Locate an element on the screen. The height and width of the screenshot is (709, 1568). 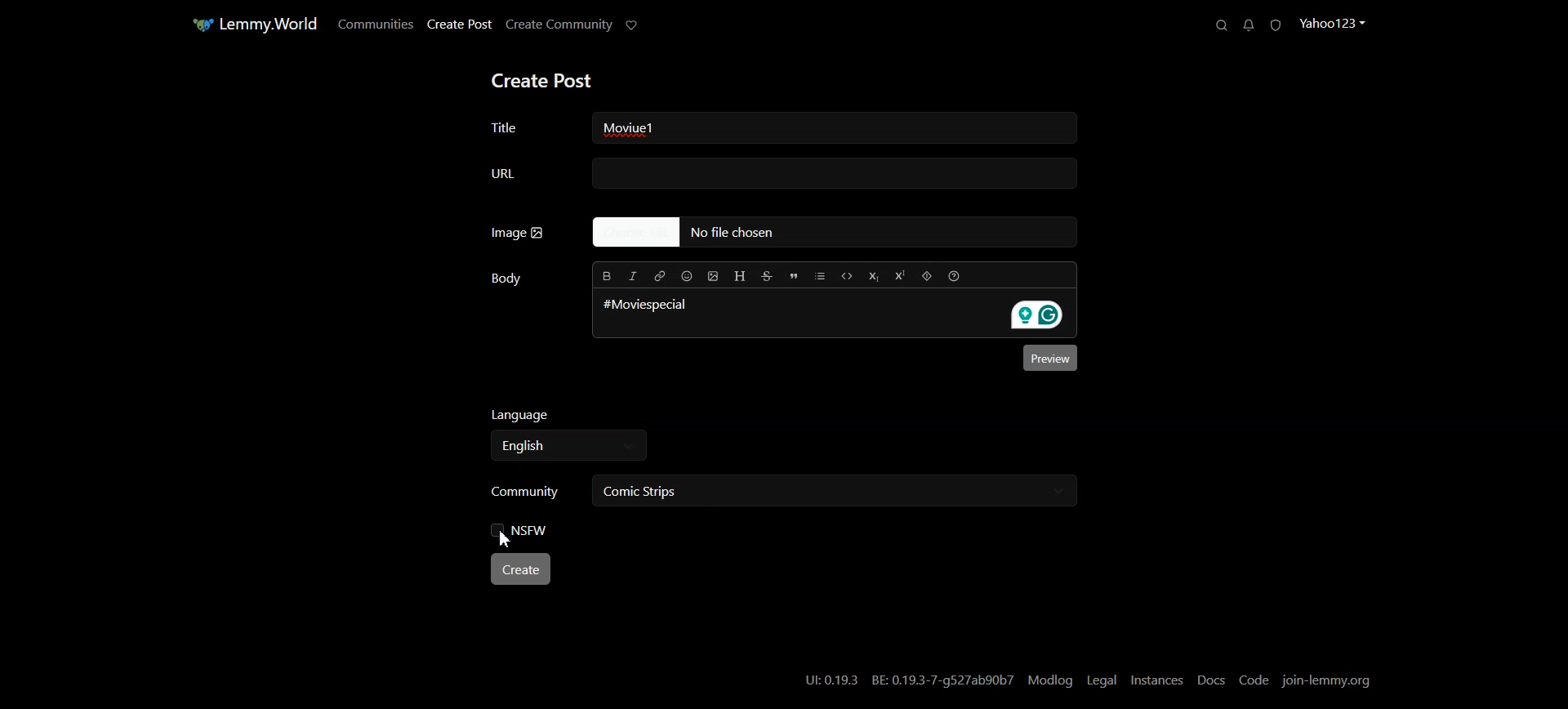
Superscript is located at coordinates (902, 274).